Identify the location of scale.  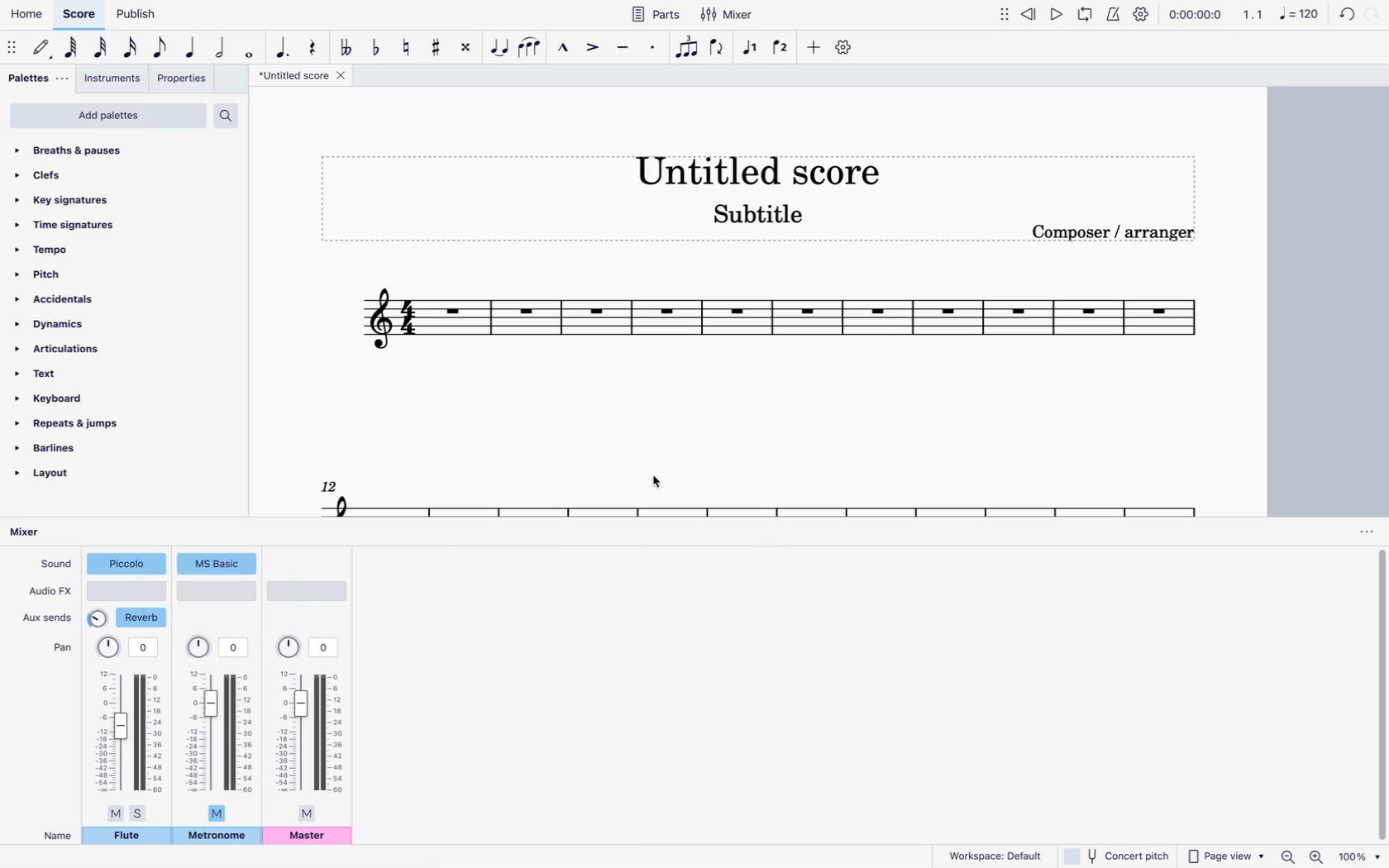
(780, 324).